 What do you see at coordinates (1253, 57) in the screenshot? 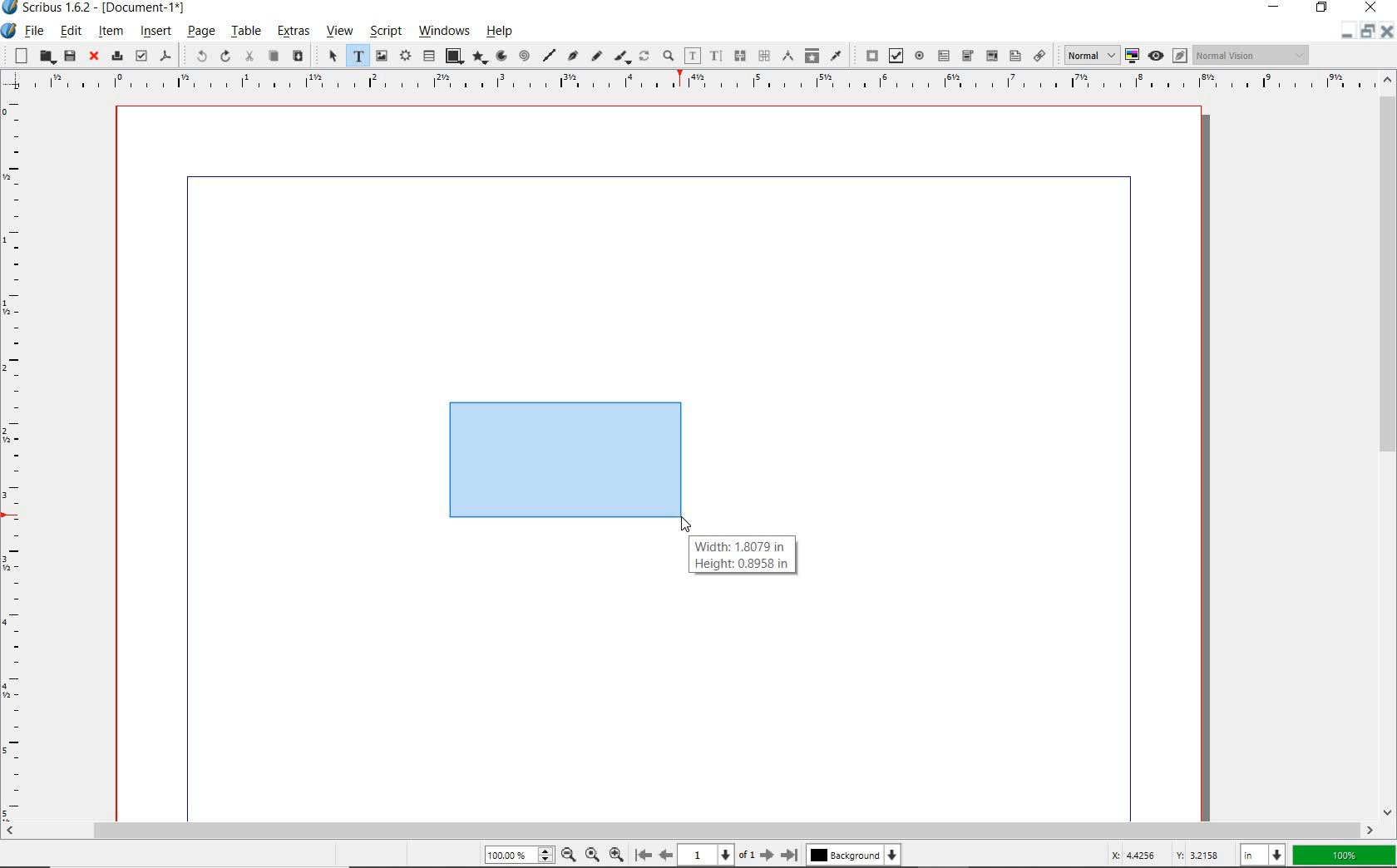
I see `Normal Vision` at bounding box center [1253, 57].